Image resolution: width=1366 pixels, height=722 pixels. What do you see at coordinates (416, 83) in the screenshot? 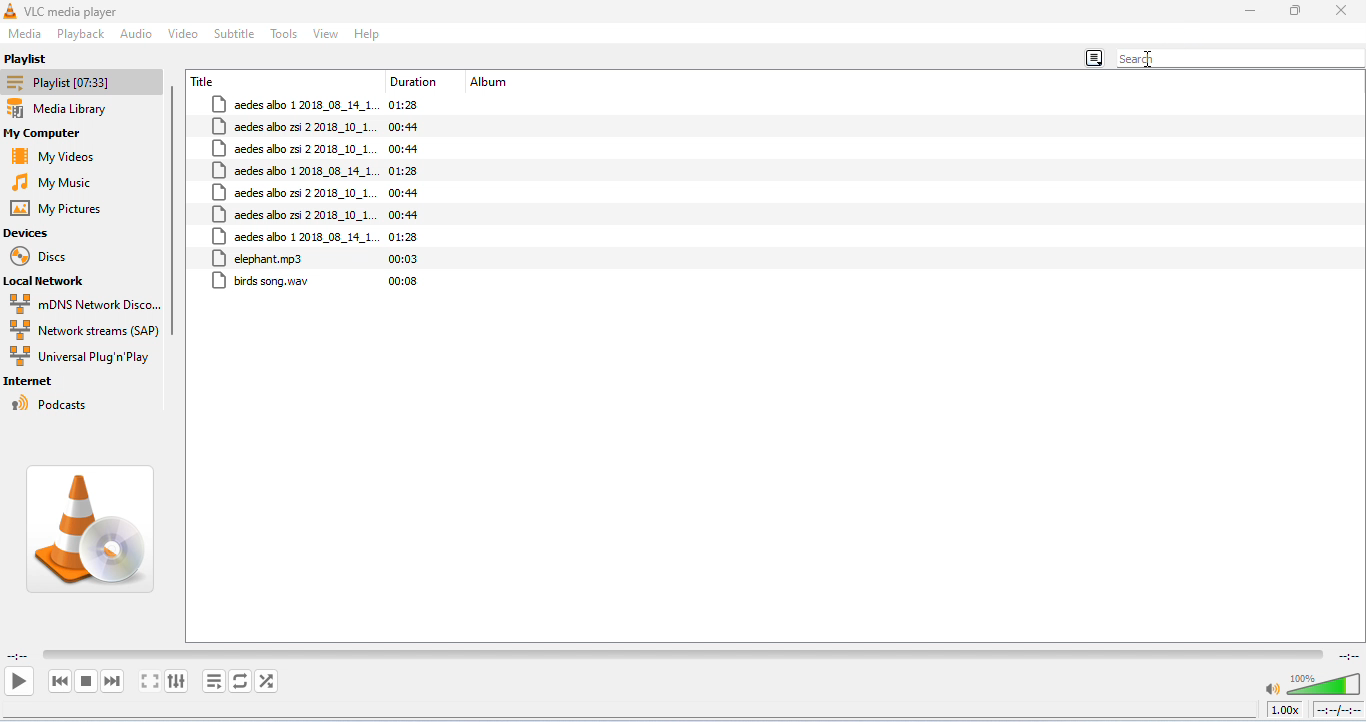
I see `` at bounding box center [416, 83].